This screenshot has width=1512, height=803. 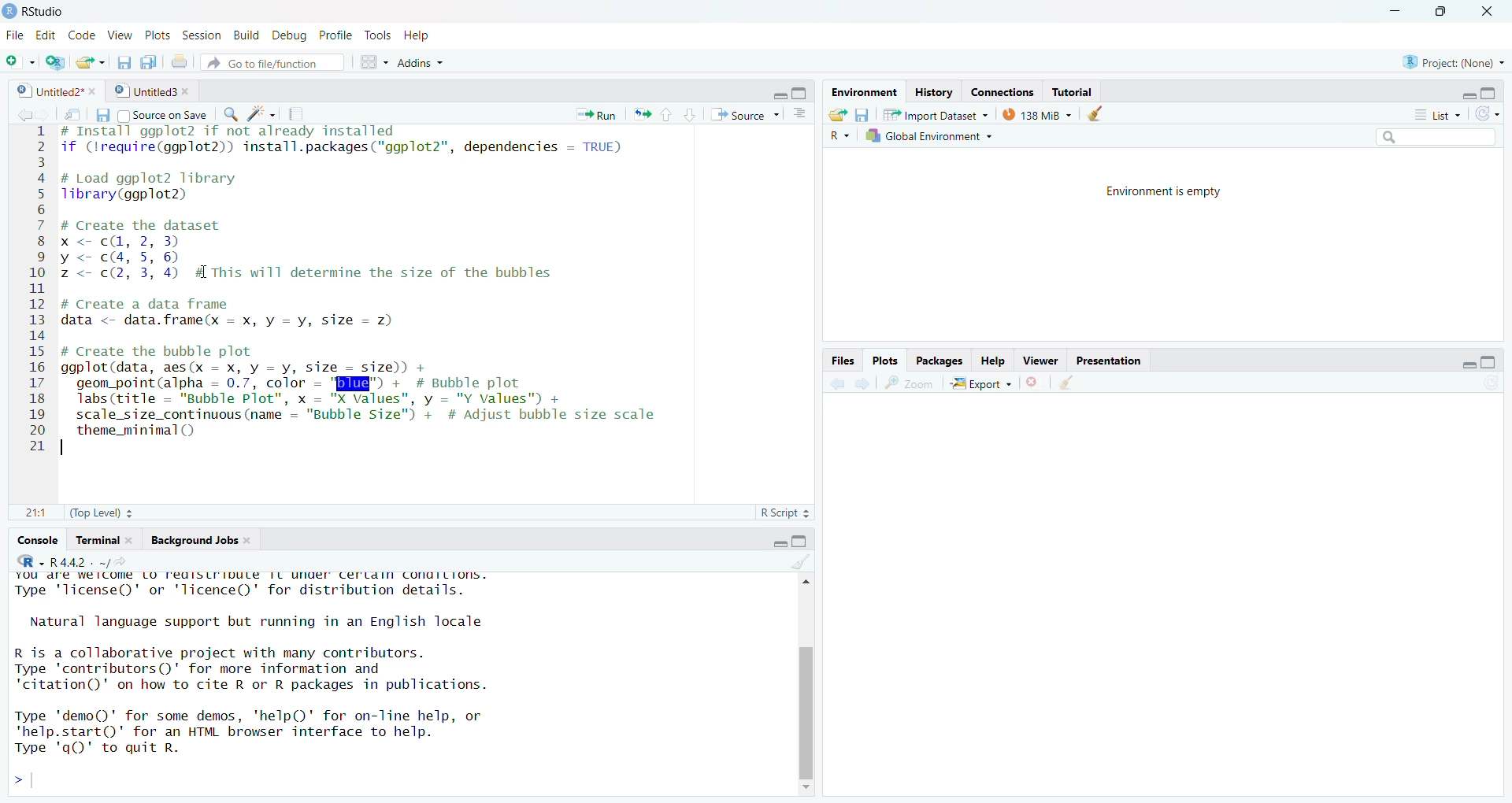 I want to click on —, so click(x=1043, y=359).